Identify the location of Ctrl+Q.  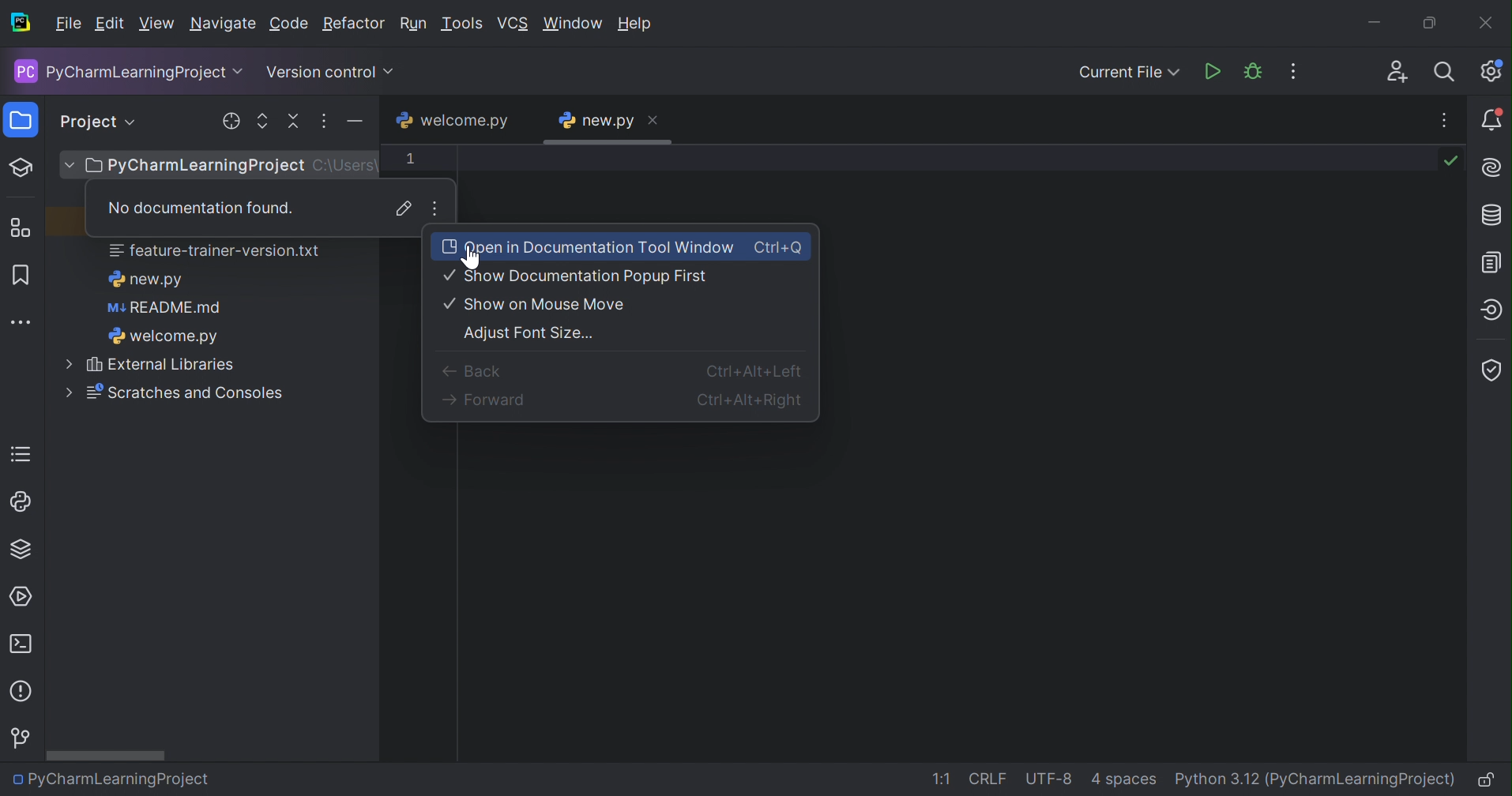
(784, 248).